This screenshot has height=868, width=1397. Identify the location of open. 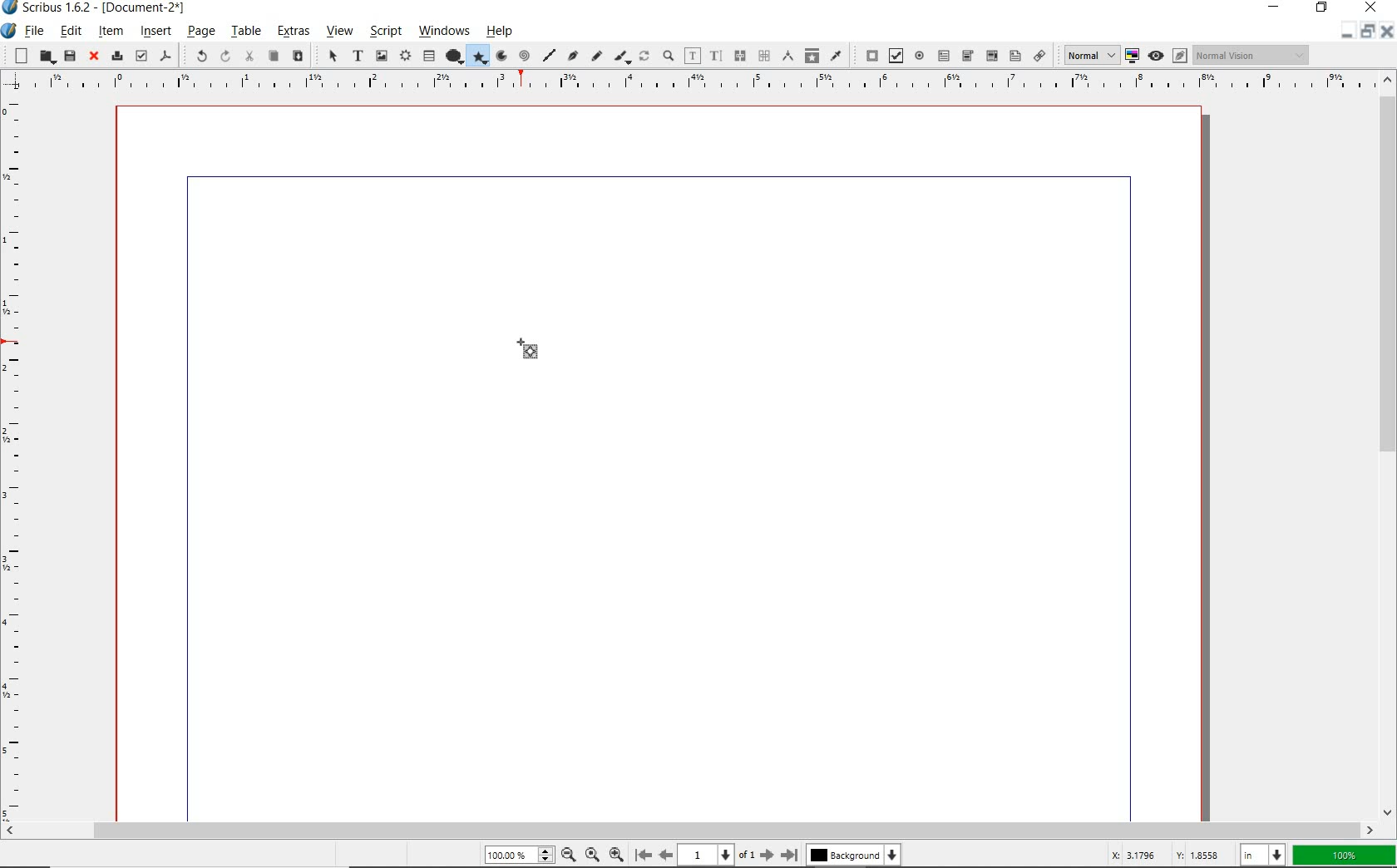
(44, 57).